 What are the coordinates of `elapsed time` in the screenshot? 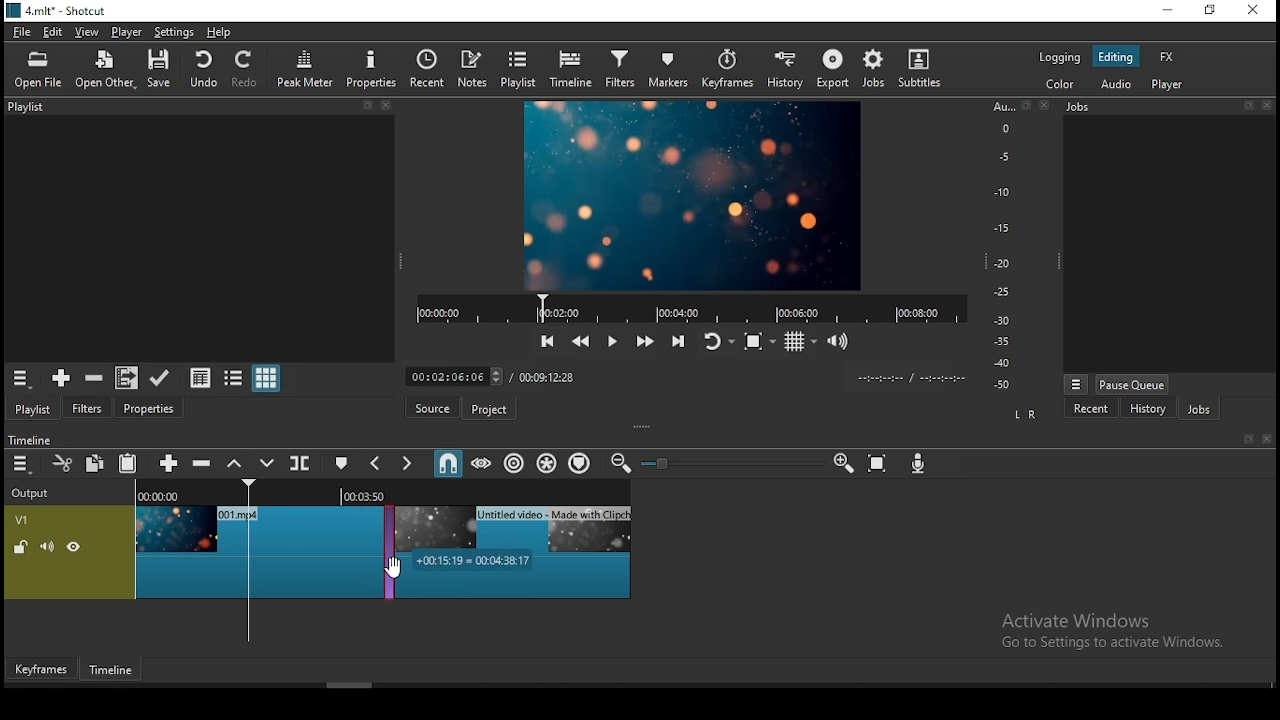 It's located at (458, 374).